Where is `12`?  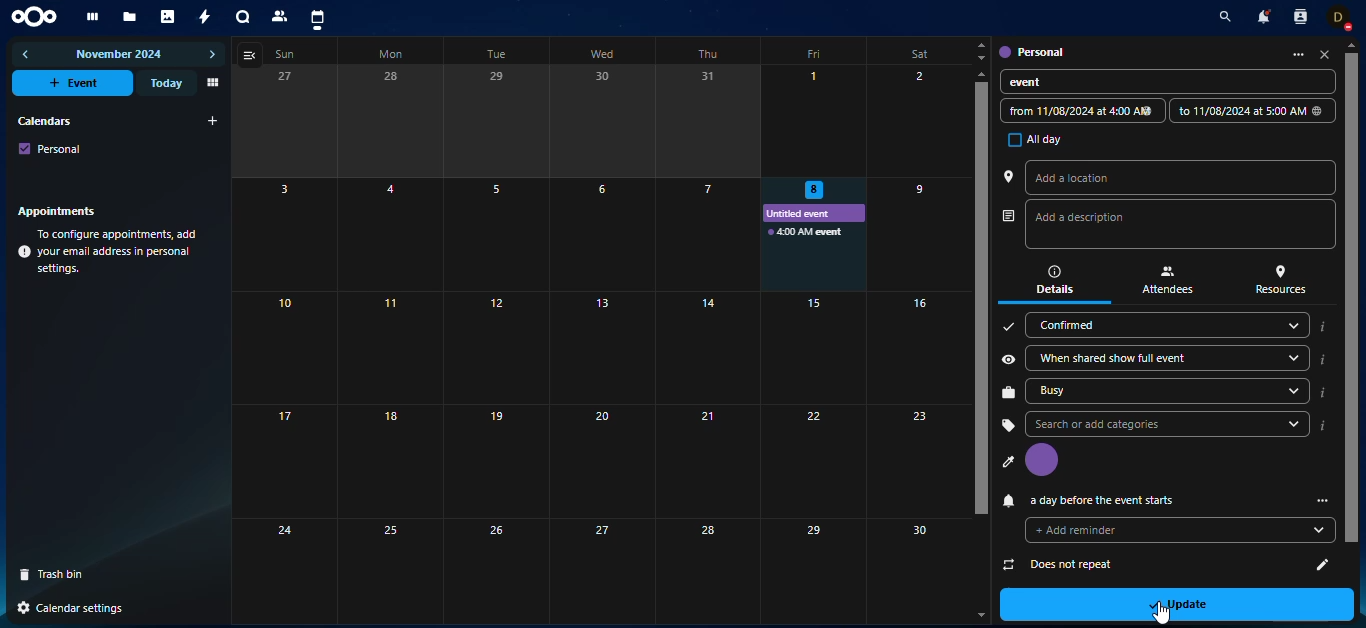 12 is located at coordinates (491, 347).